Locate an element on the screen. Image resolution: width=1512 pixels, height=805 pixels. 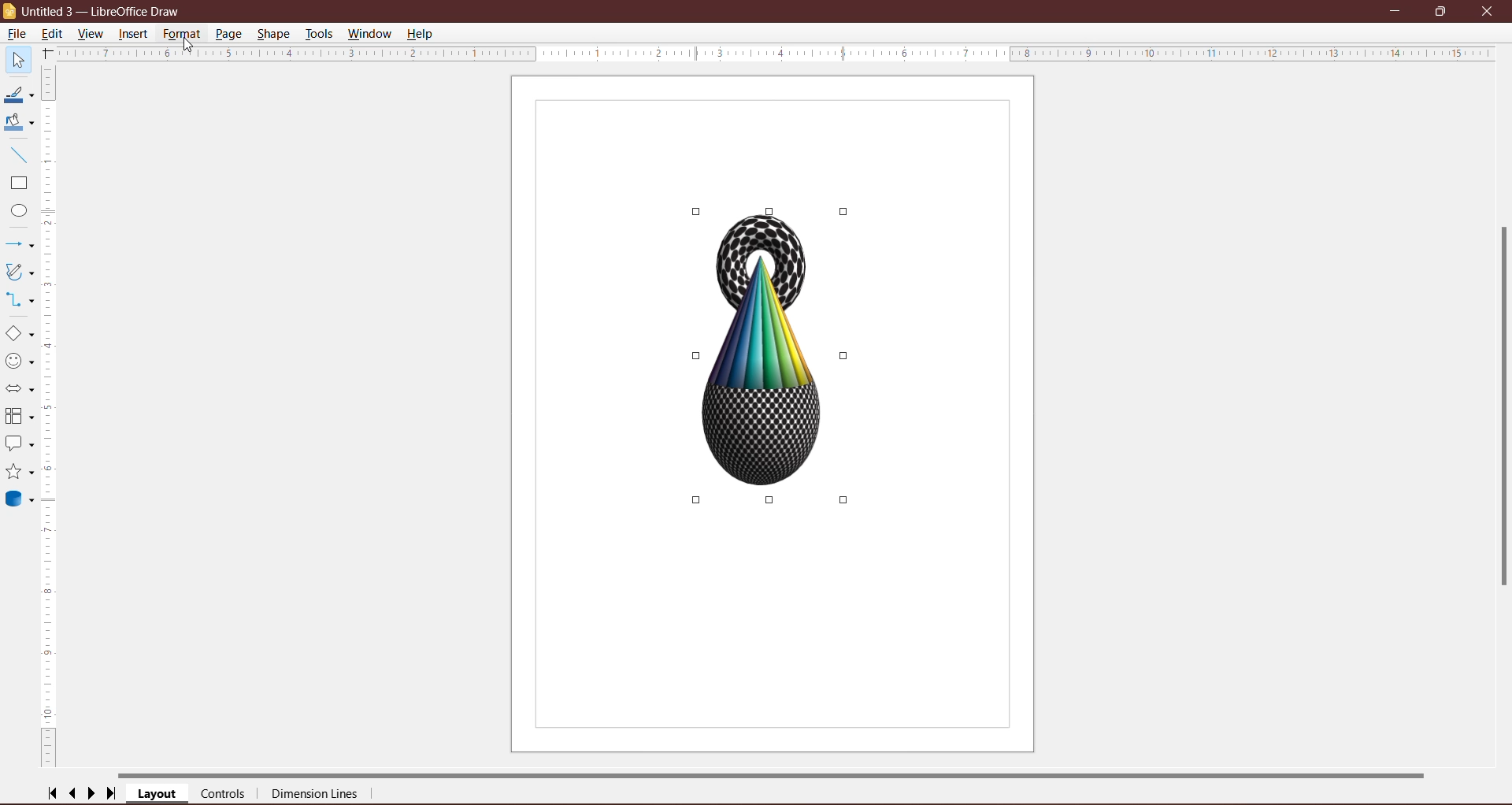
Rectangle is located at coordinates (18, 184).